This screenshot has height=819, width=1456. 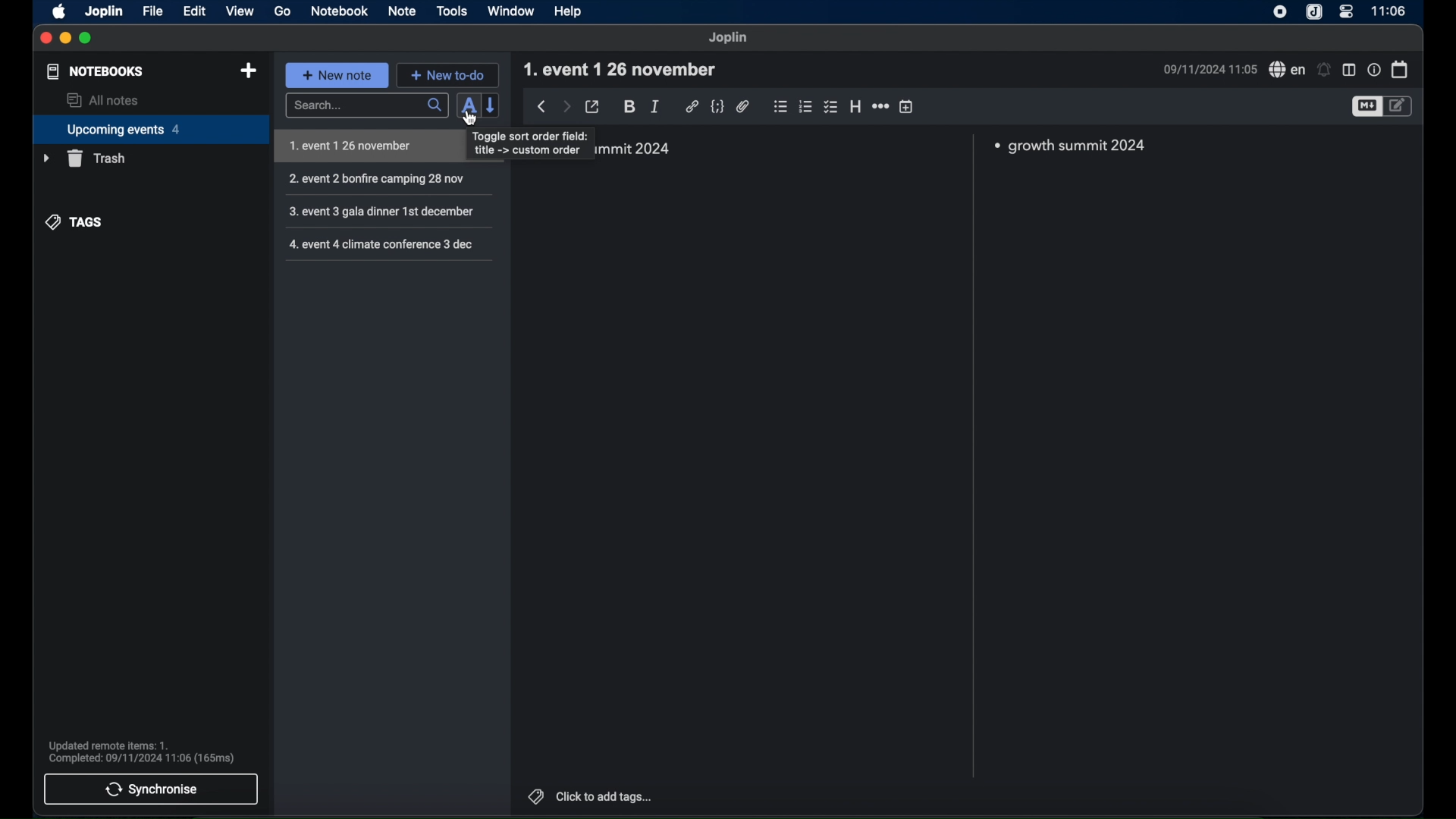 What do you see at coordinates (718, 107) in the screenshot?
I see `code` at bounding box center [718, 107].